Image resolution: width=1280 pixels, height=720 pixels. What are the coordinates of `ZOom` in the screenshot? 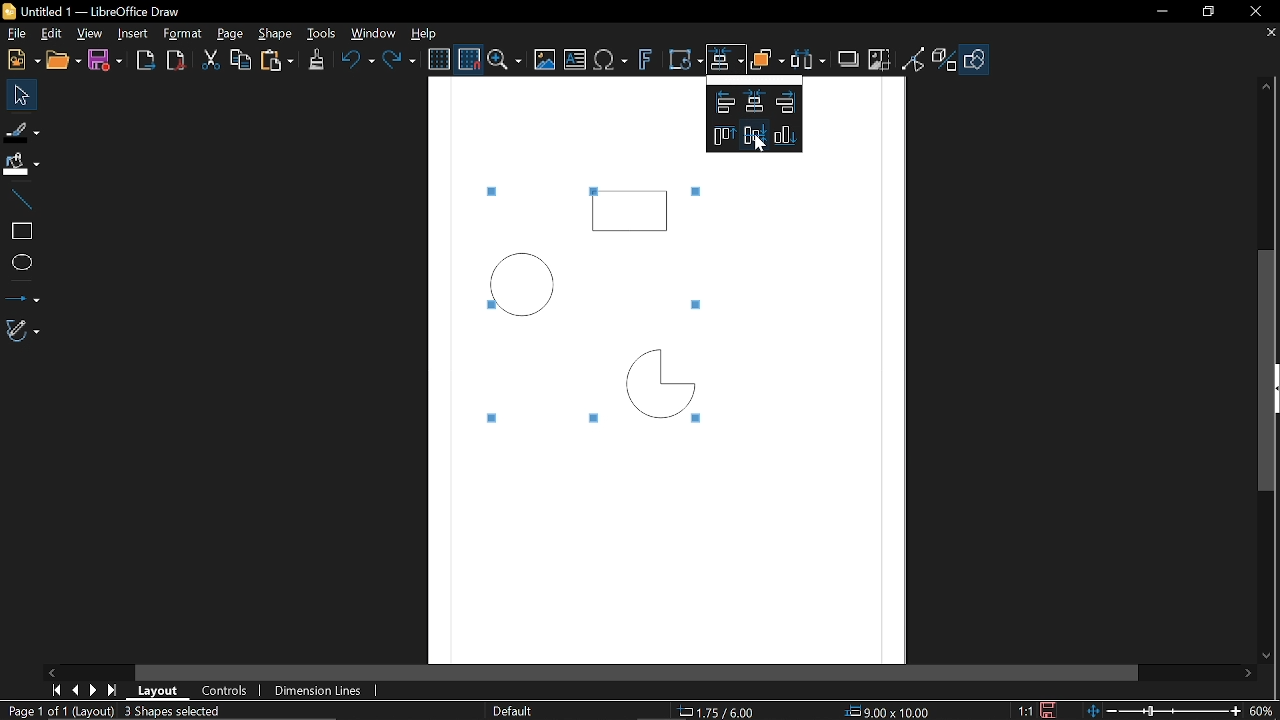 It's located at (505, 59).